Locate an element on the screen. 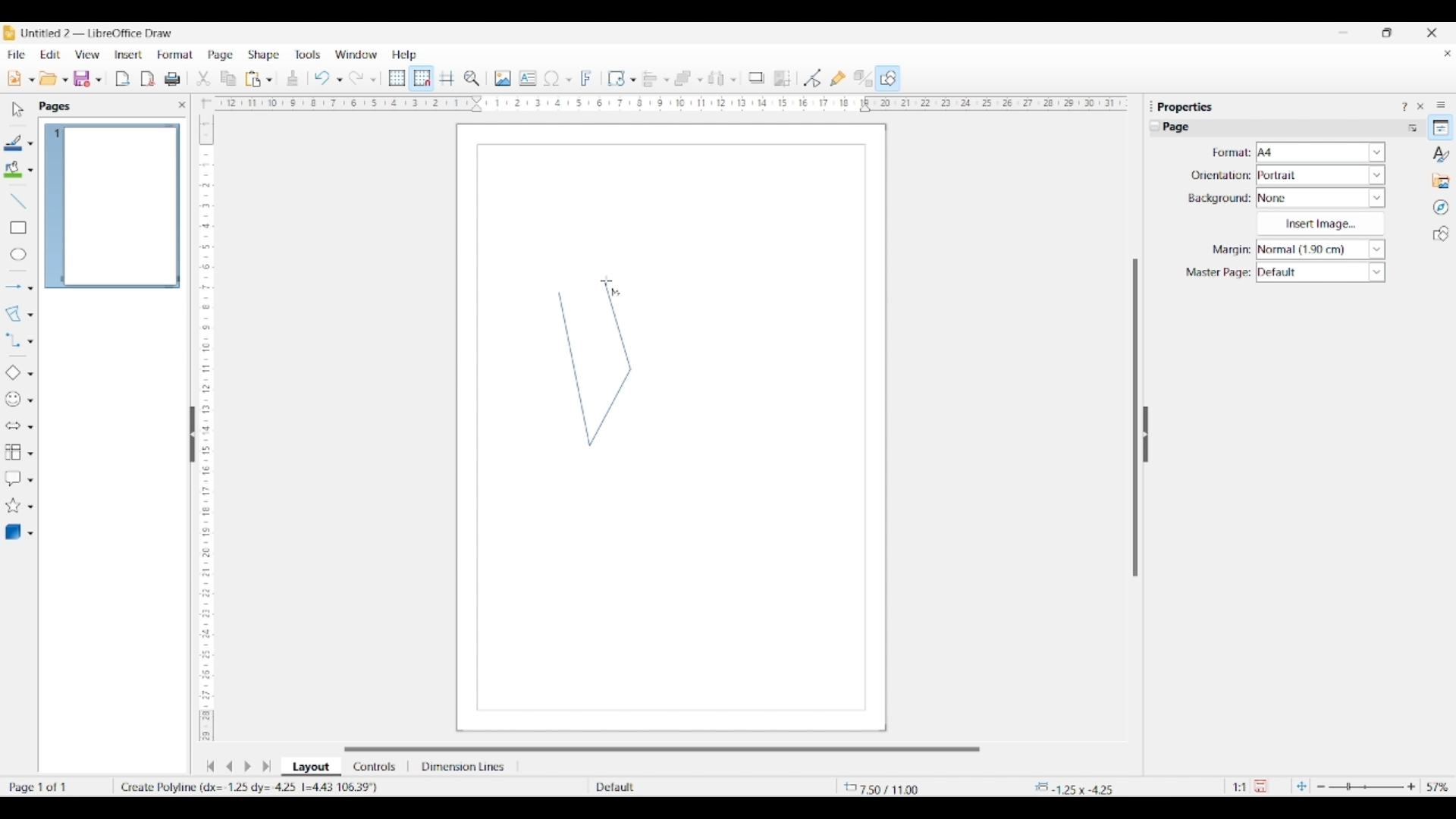 The image size is (1456, 819). Star and banner options is located at coordinates (30, 507).